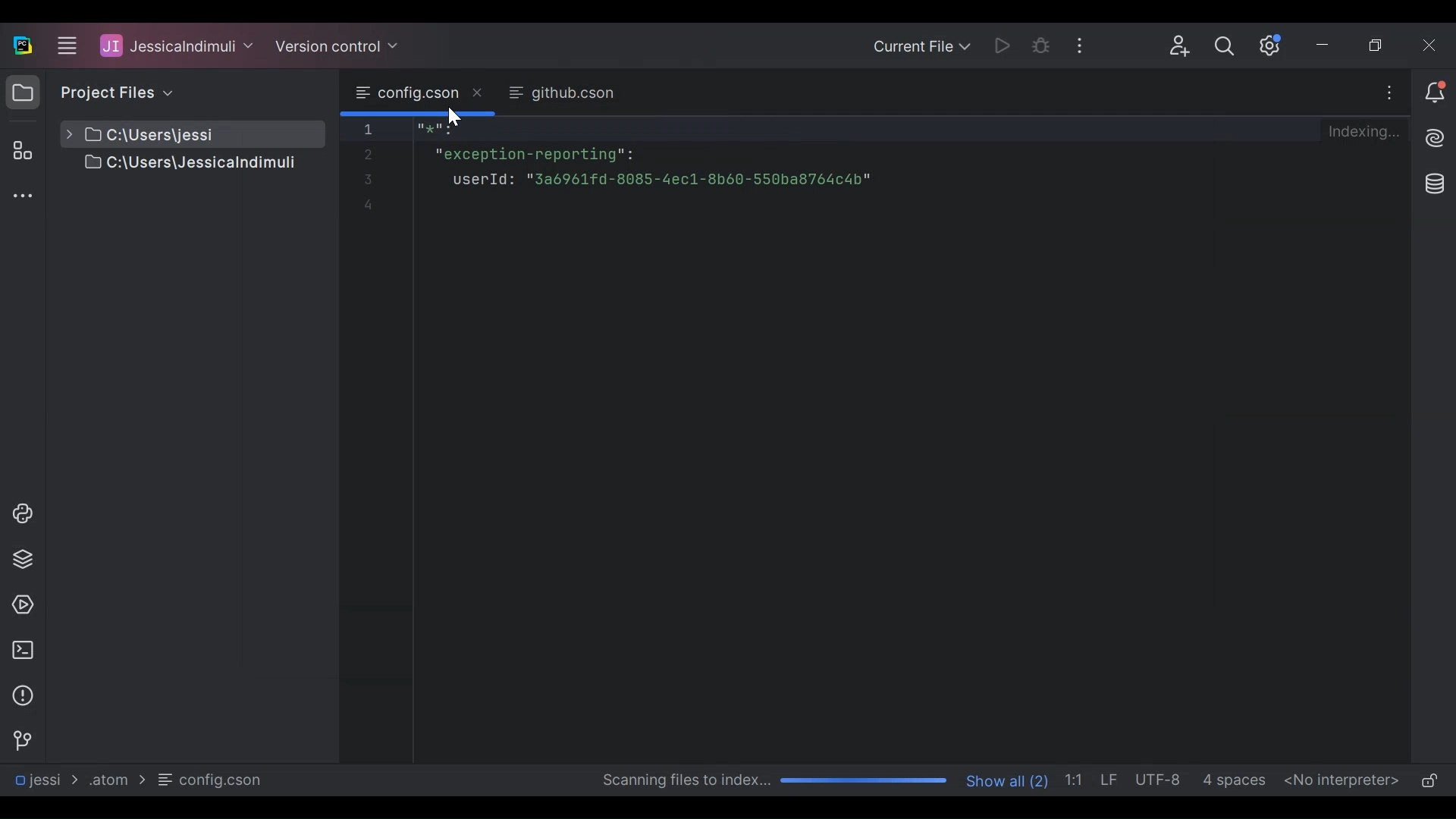 The height and width of the screenshot is (819, 1456). What do you see at coordinates (1363, 130) in the screenshot?
I see `Indexing` at bounding box center [1363, 130].